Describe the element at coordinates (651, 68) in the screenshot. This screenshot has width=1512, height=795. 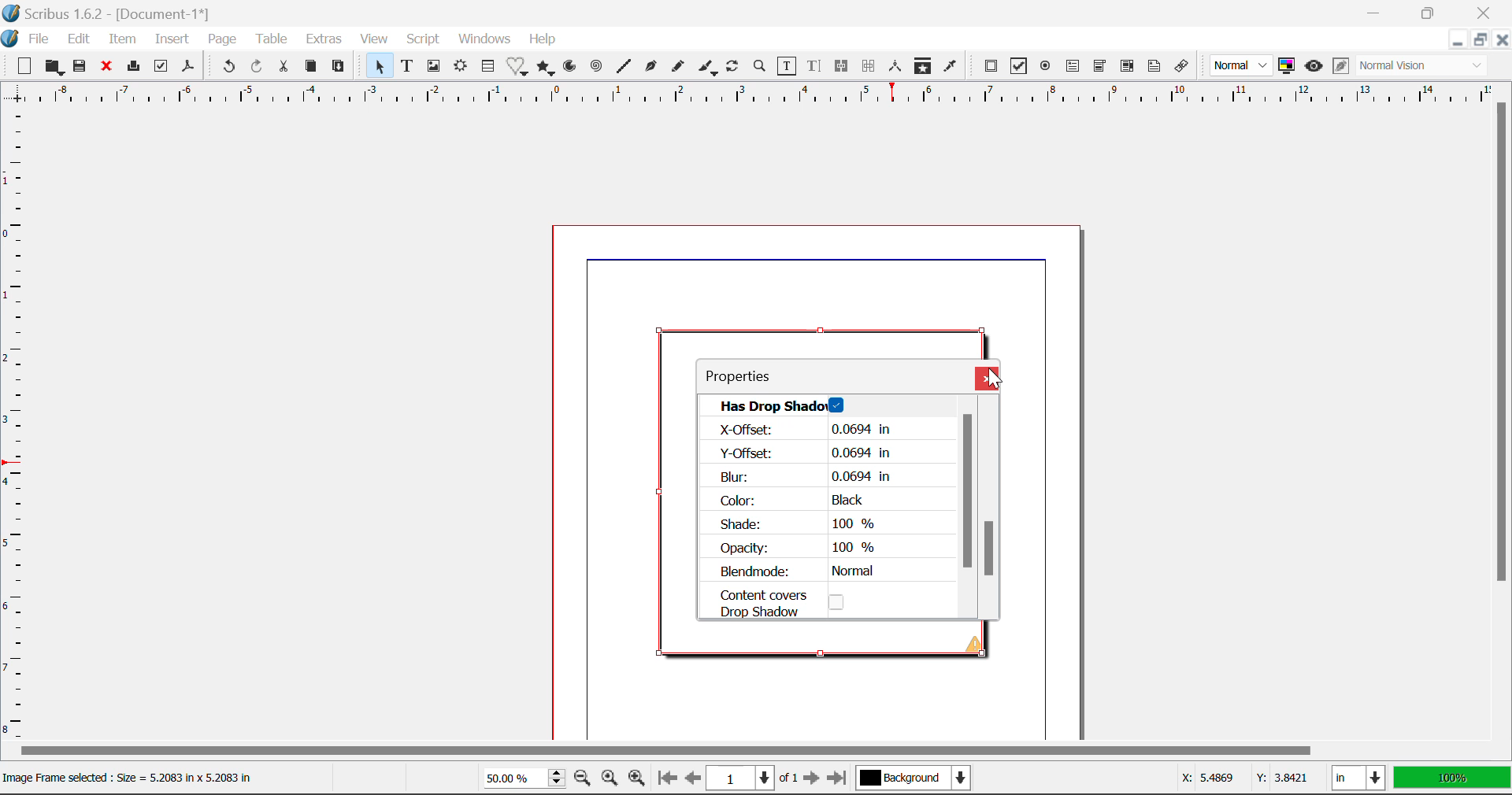
I see `Bezier Curve` at that location.